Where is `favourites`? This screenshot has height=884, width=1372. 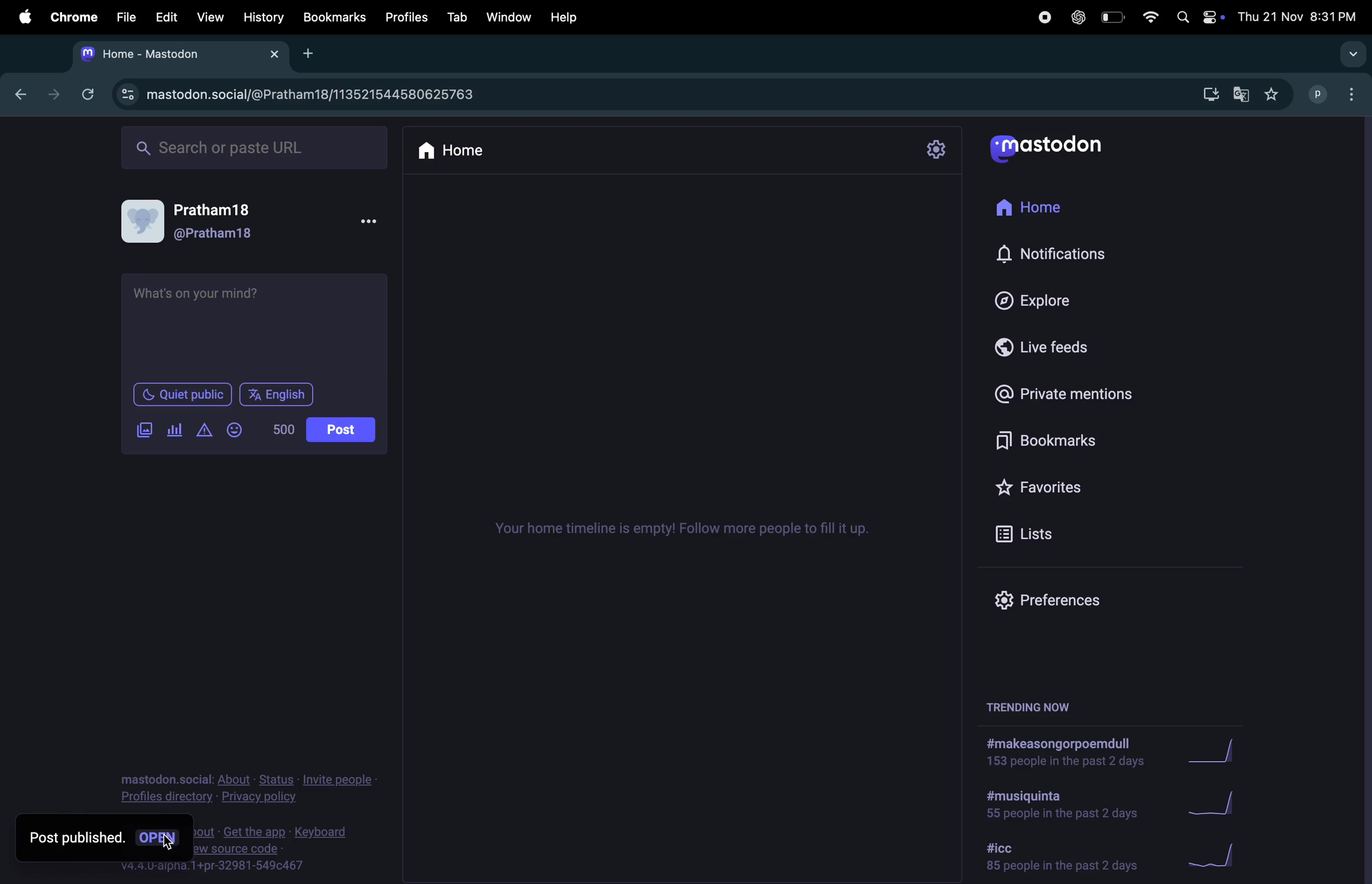 favourites is located at coordinates (1057, 485).